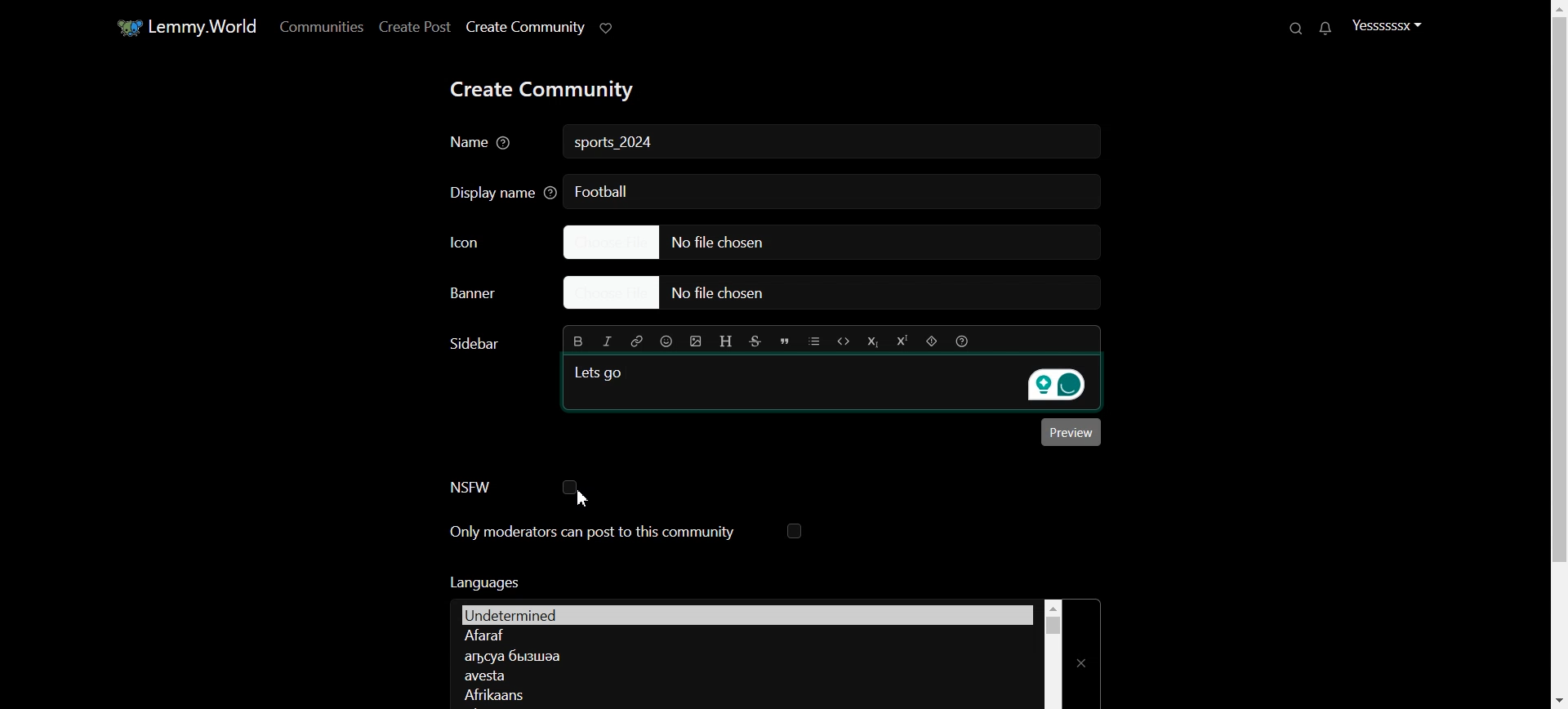 This screenshot has width=1568, height=709. What do you see at coordinates (746, 613) in the screenshot?
I see `Languages` at bounding box center [746, 613].